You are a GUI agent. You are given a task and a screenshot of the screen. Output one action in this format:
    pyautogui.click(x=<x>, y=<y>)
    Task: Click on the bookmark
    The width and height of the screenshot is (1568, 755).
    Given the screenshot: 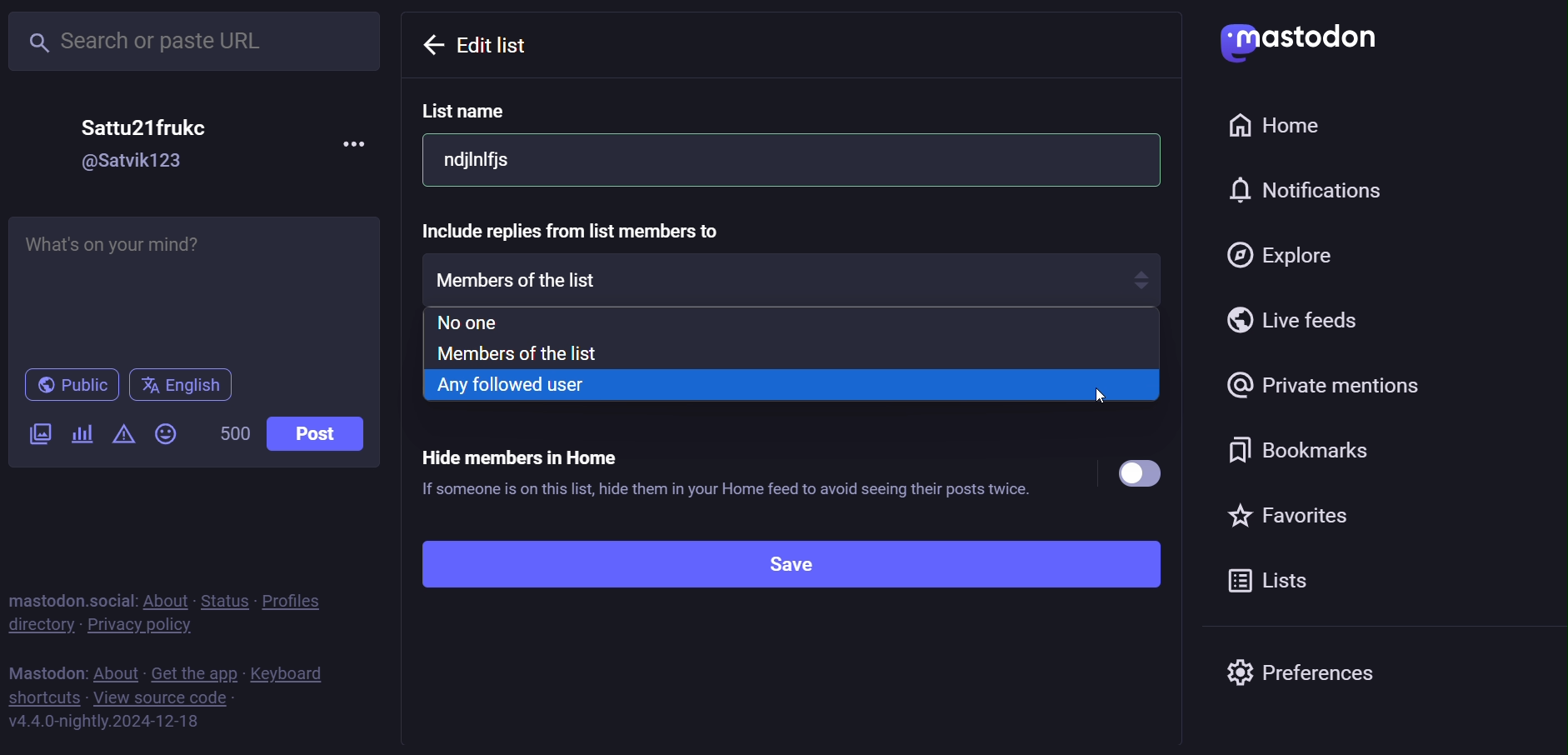 What is the action you would take?
    pyautogui.click(x=1307, y=453)
    